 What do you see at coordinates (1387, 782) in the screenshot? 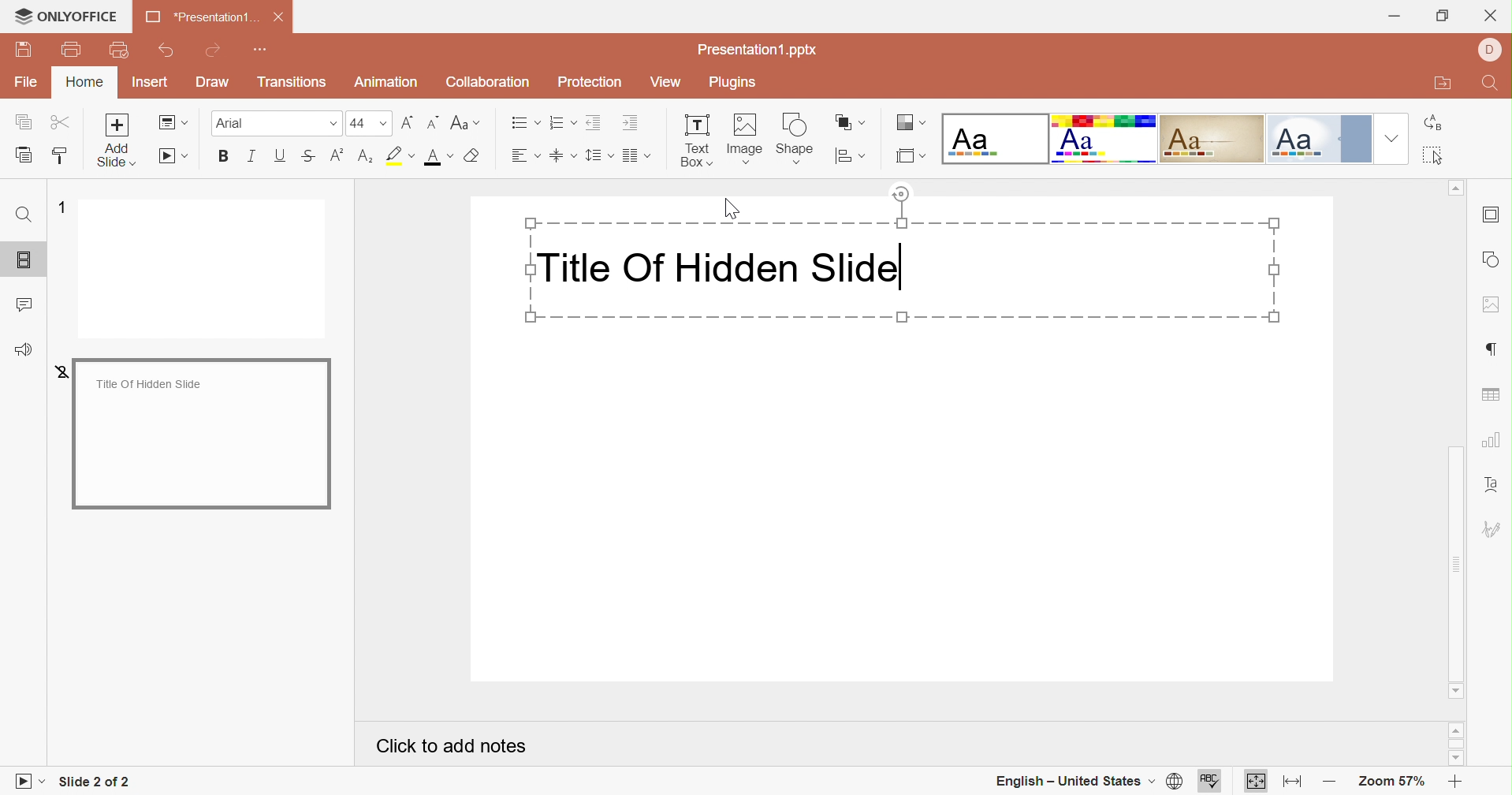
I see `Zoom 57%` at bounding box center [1387, 782].